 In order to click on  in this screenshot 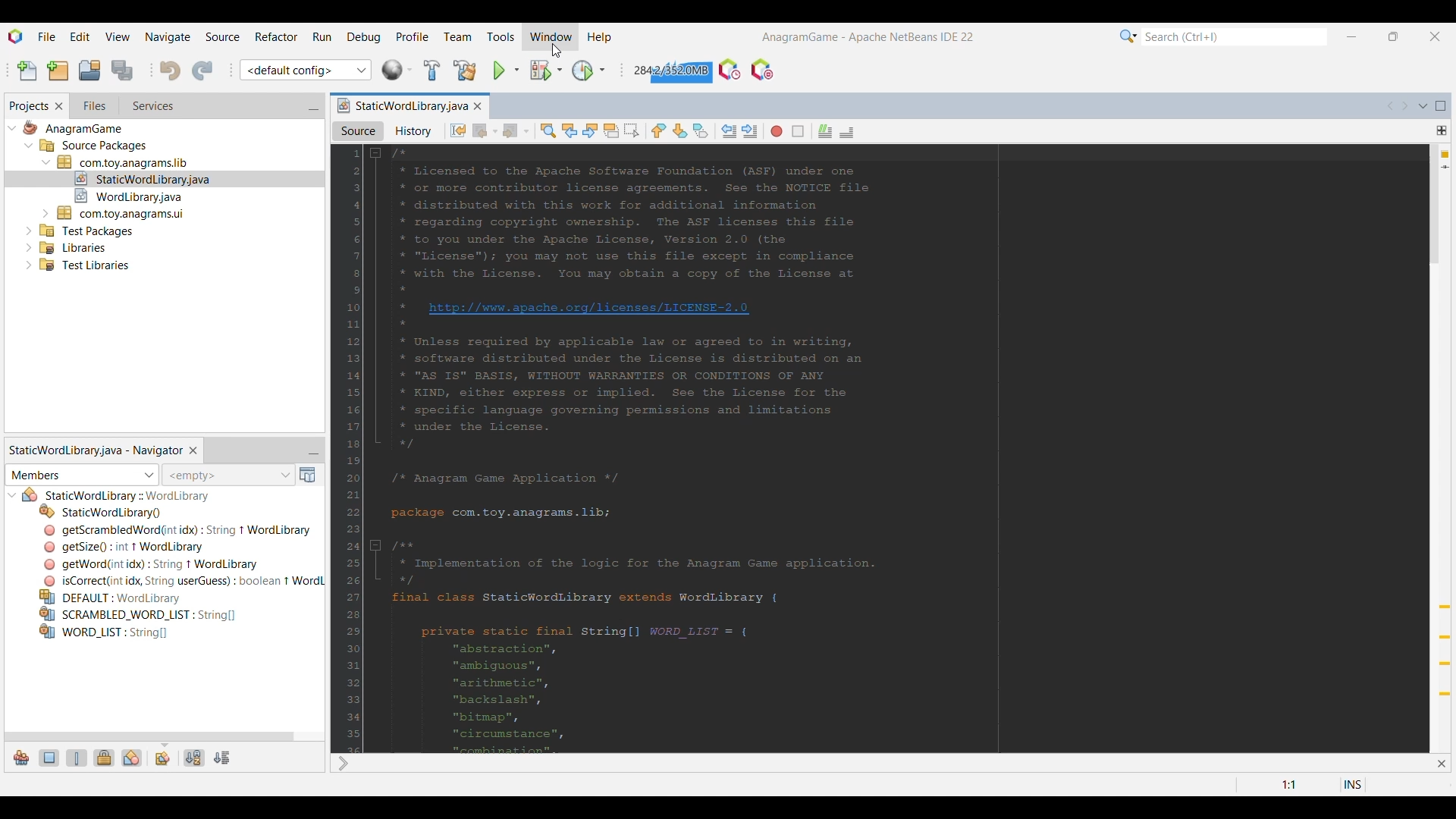, I will do `click(505, 512)`.